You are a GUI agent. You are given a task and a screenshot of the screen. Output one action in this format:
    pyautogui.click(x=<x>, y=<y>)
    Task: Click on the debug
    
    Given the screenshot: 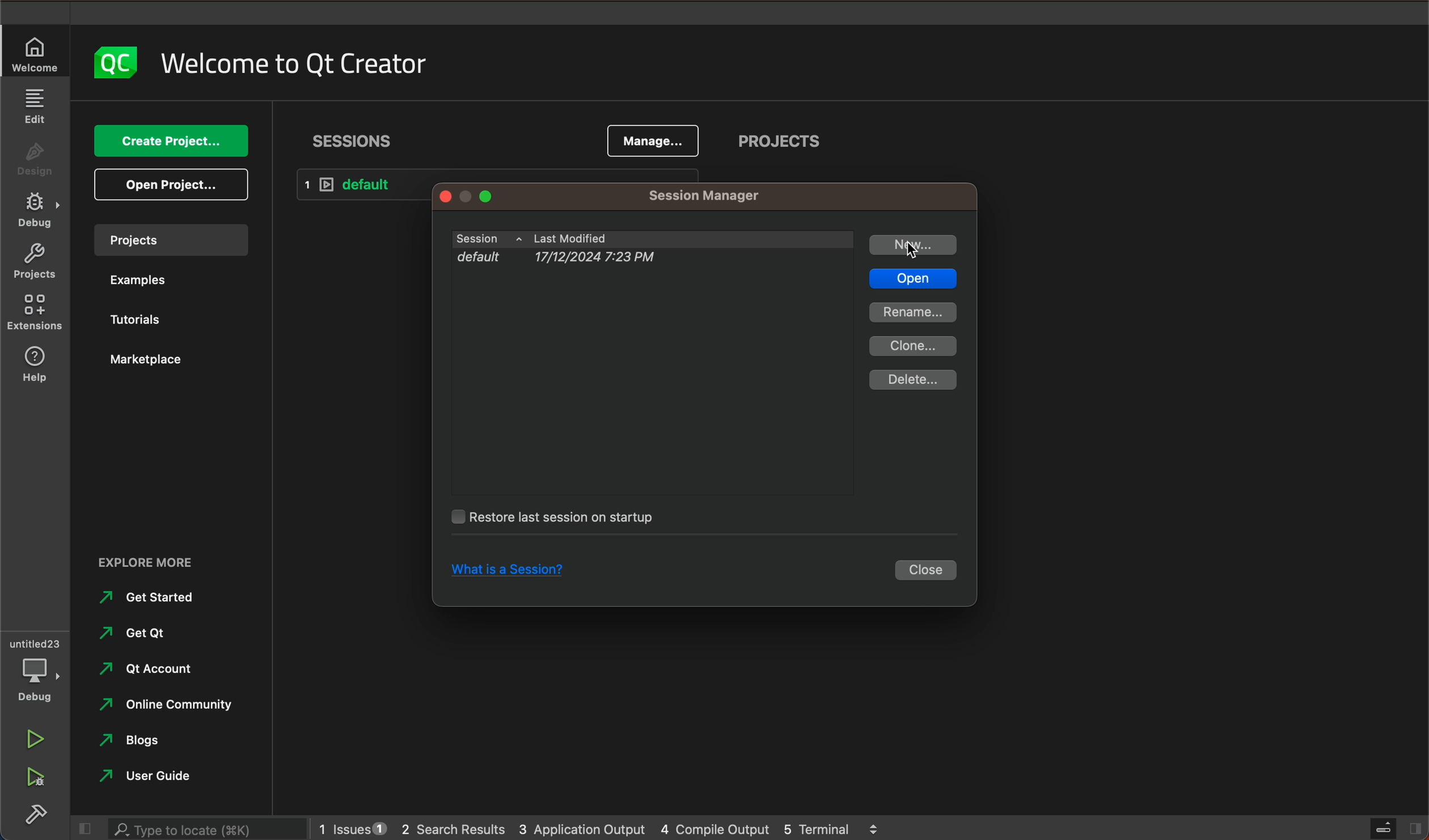 What is the action you would take?
    pyautogui.click(x=38, y=211)
    